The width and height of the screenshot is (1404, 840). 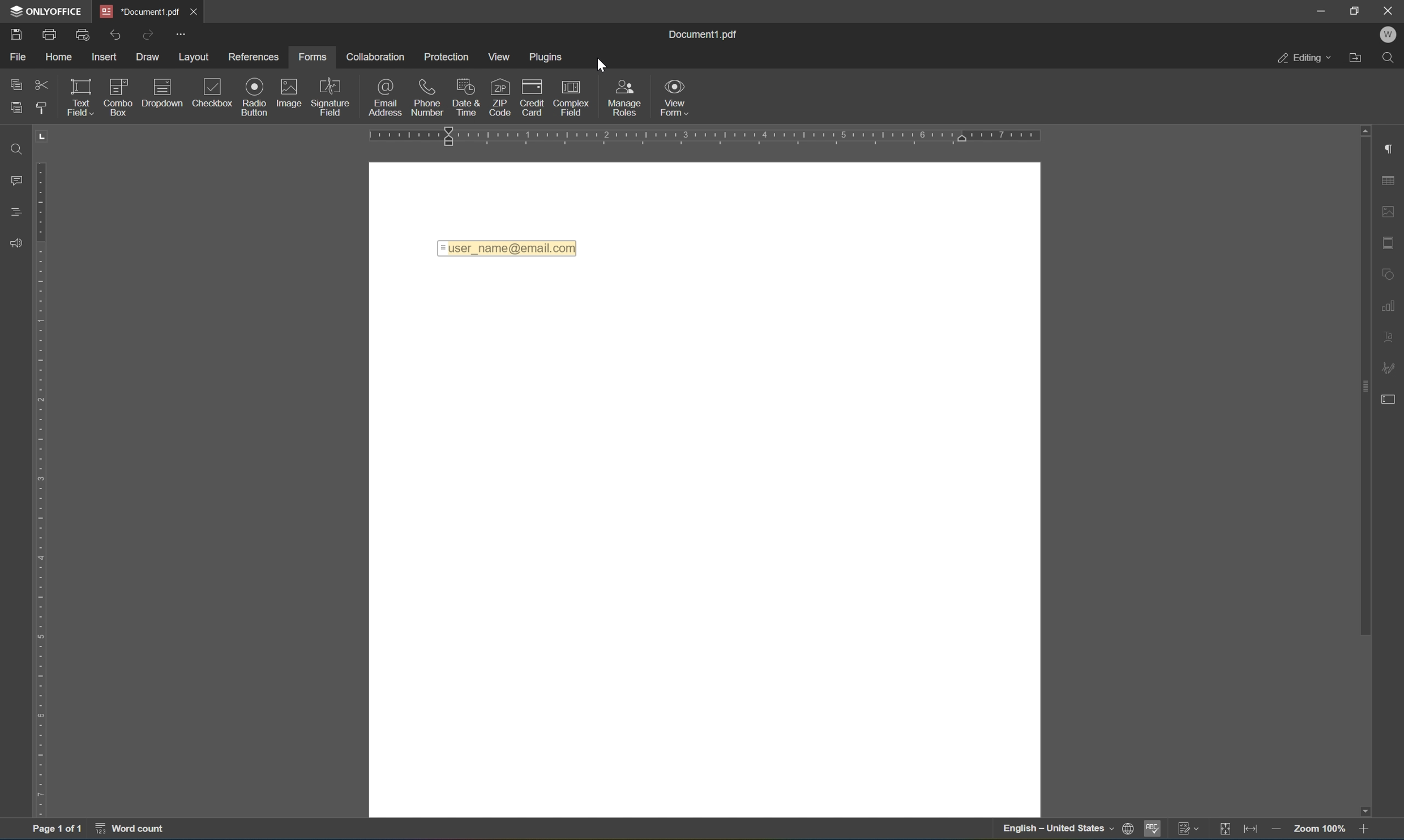 I want to click on fit to width, so click(x=1252, y=832).